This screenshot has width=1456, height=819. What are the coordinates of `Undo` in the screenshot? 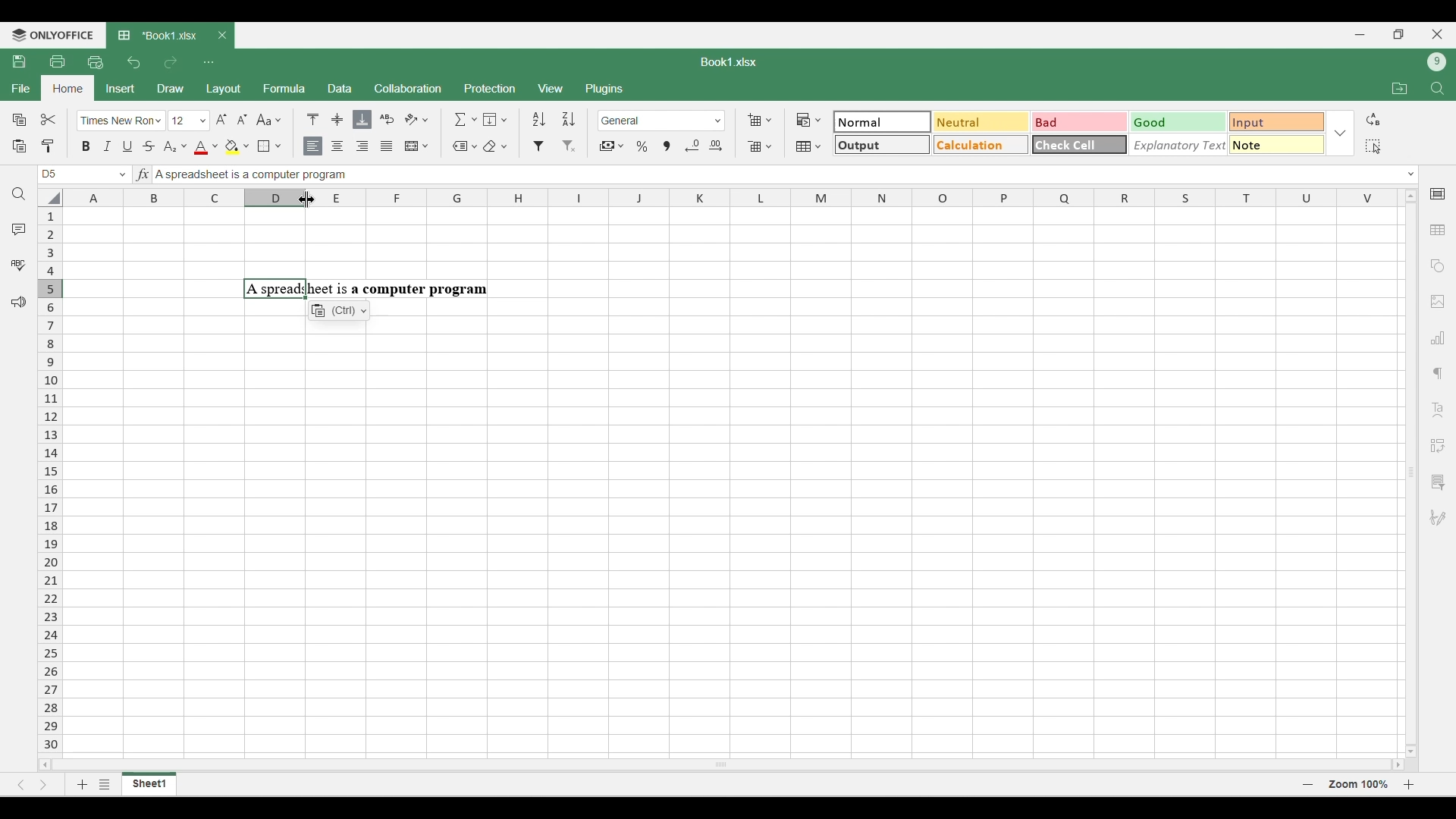 It's located at (133, 62).